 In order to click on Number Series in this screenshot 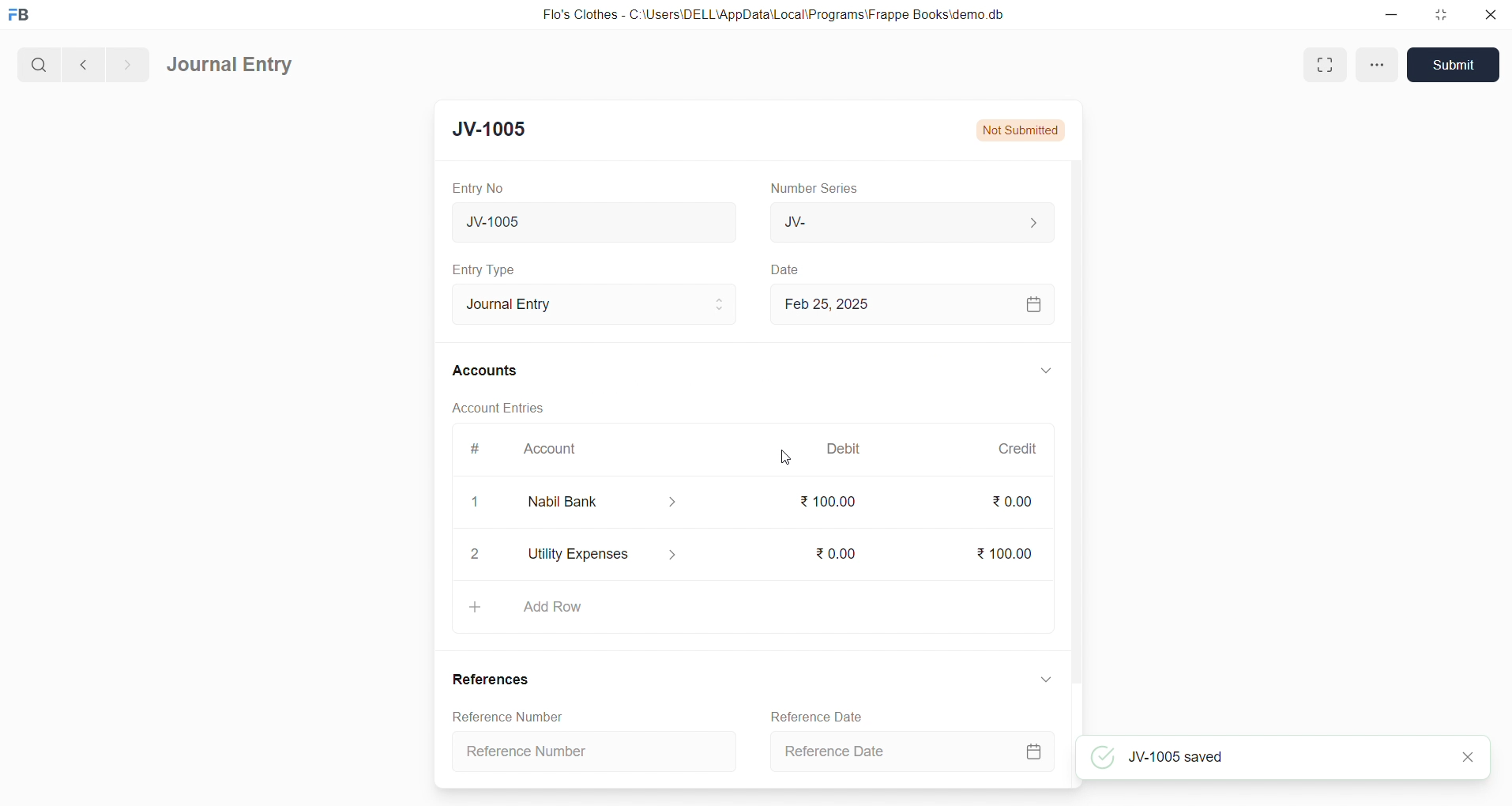, I will do `click(819, 189)`.